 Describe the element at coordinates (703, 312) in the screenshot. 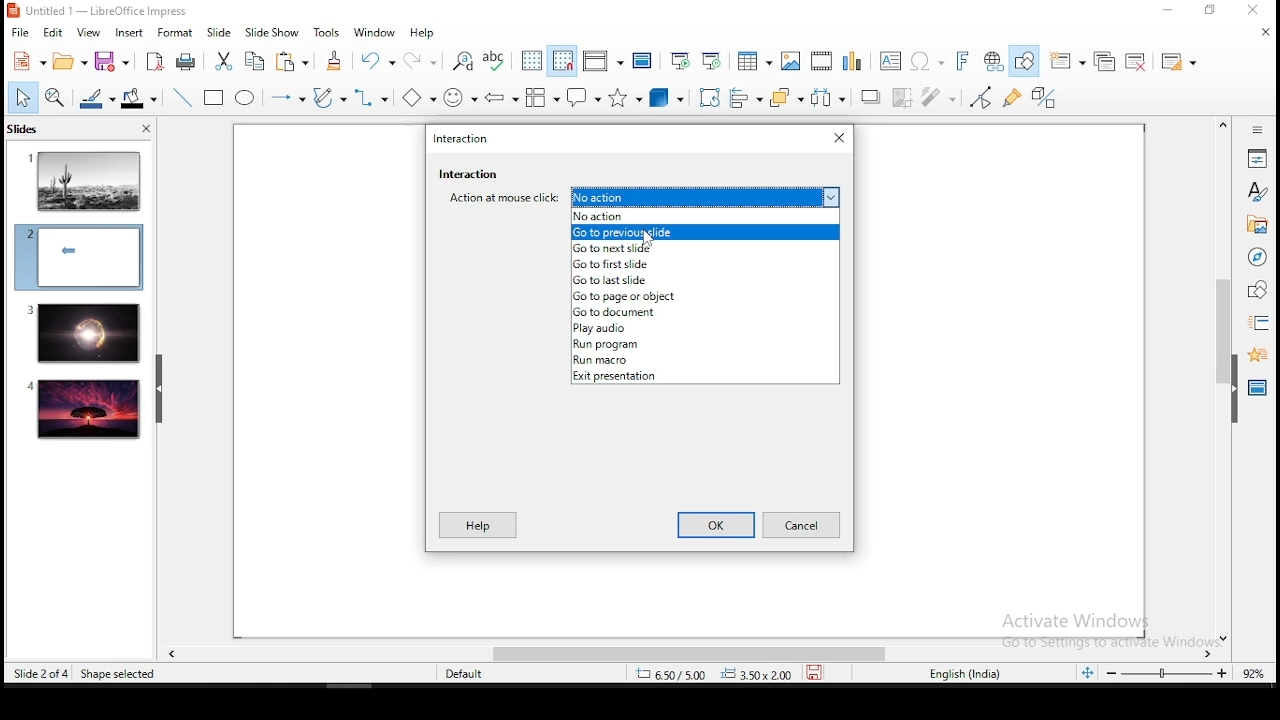

I see `go to document` at that location.